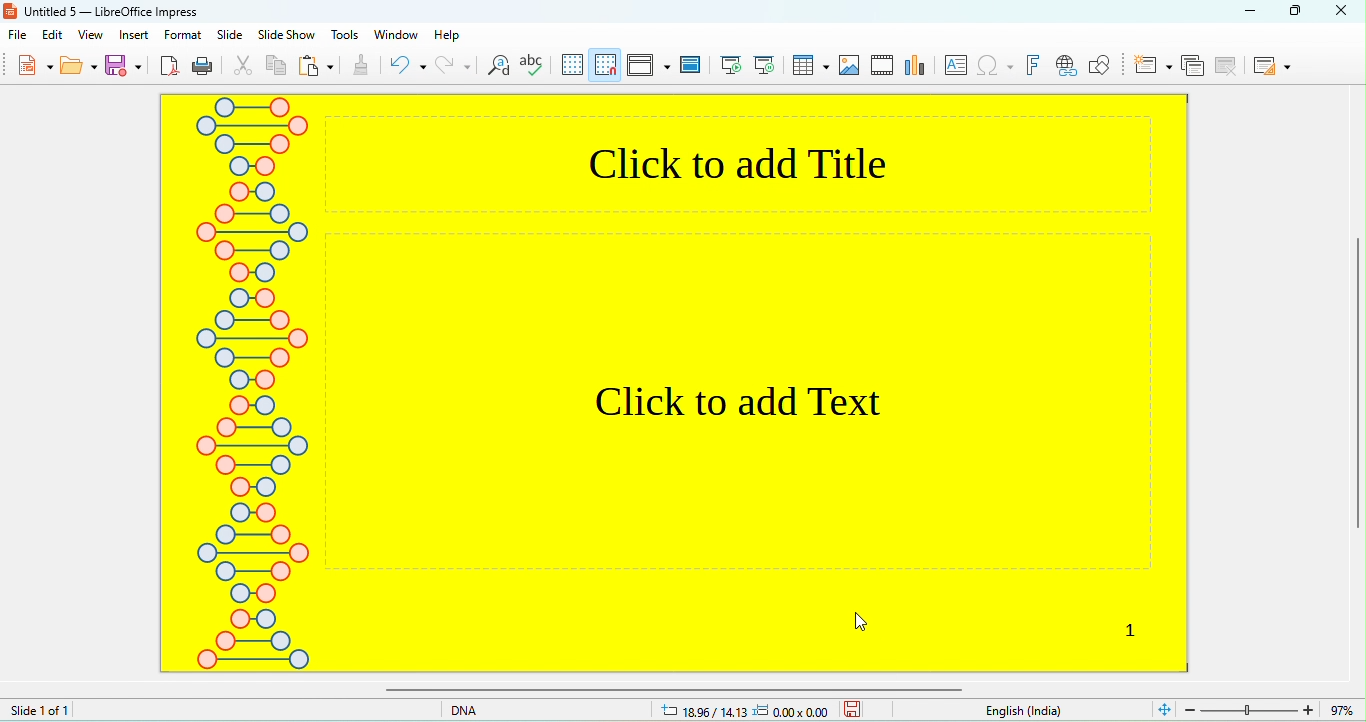 This screenshot has height=722, width=1366. Describe the element at coordinates (1153, 64) in the screenshot. I see `new slide` at that location.